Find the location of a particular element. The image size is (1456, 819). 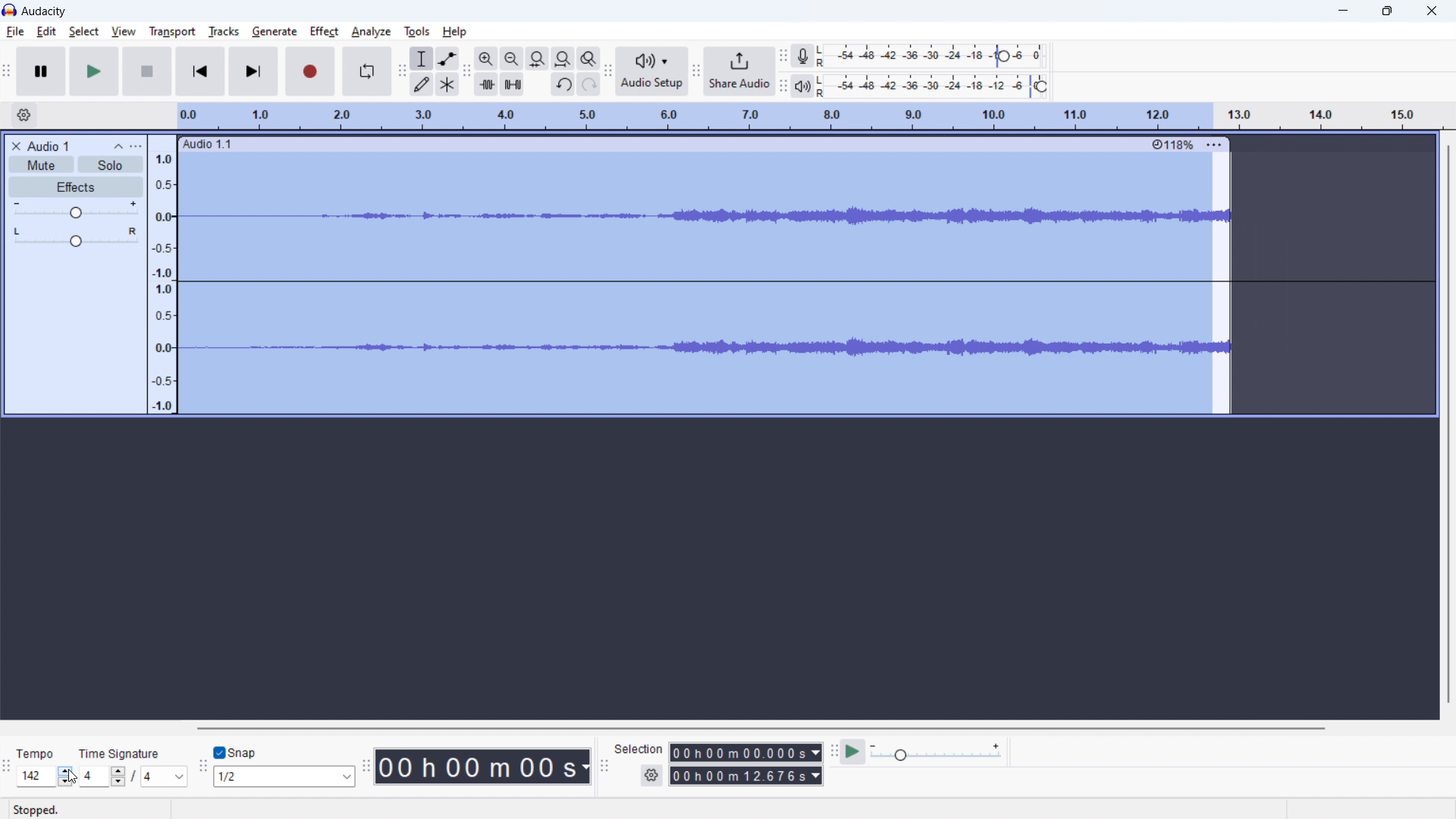

LR is located at coordinates (820, 55).